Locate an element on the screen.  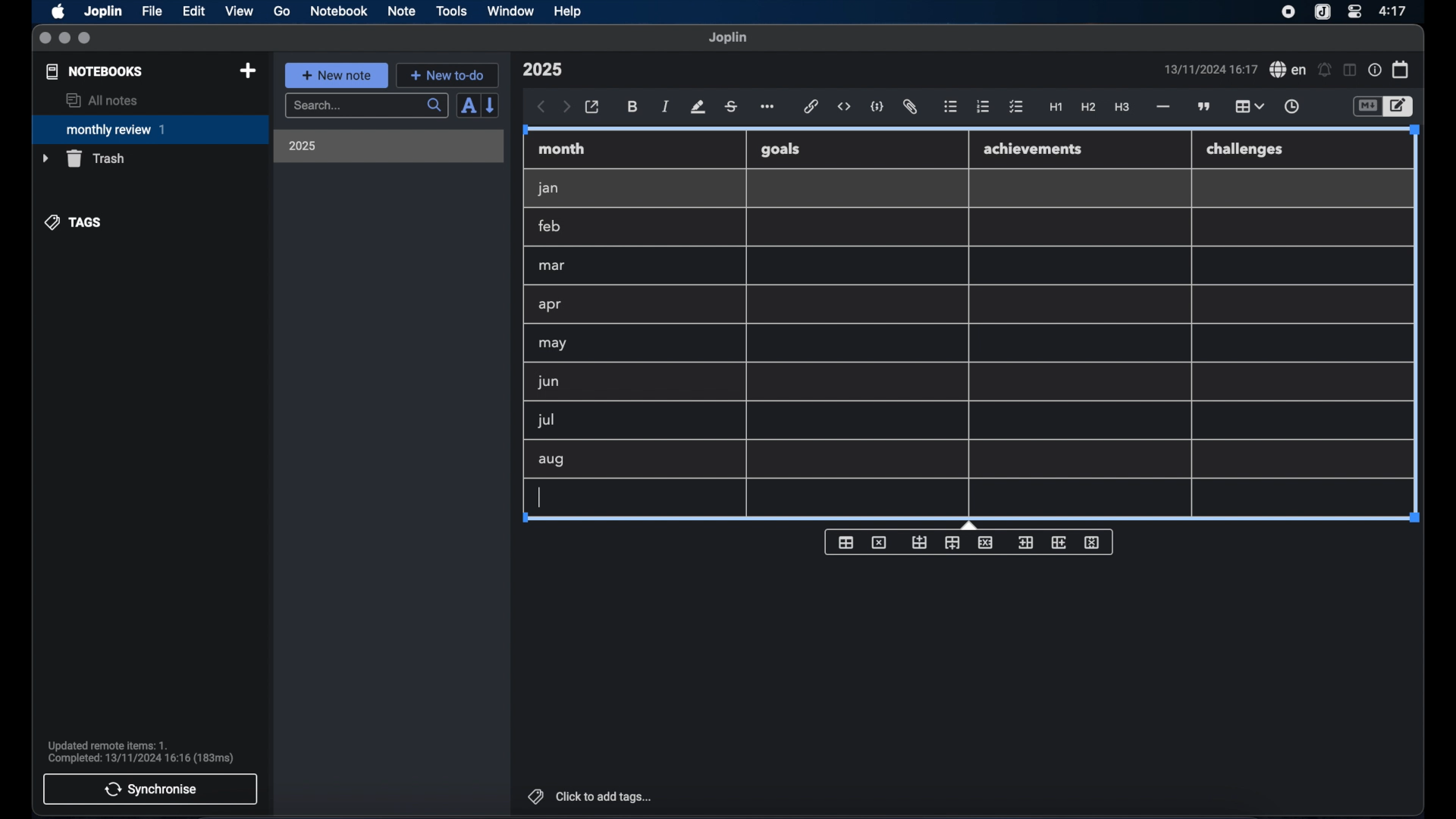
search bar is located at coordinates (366, 107).